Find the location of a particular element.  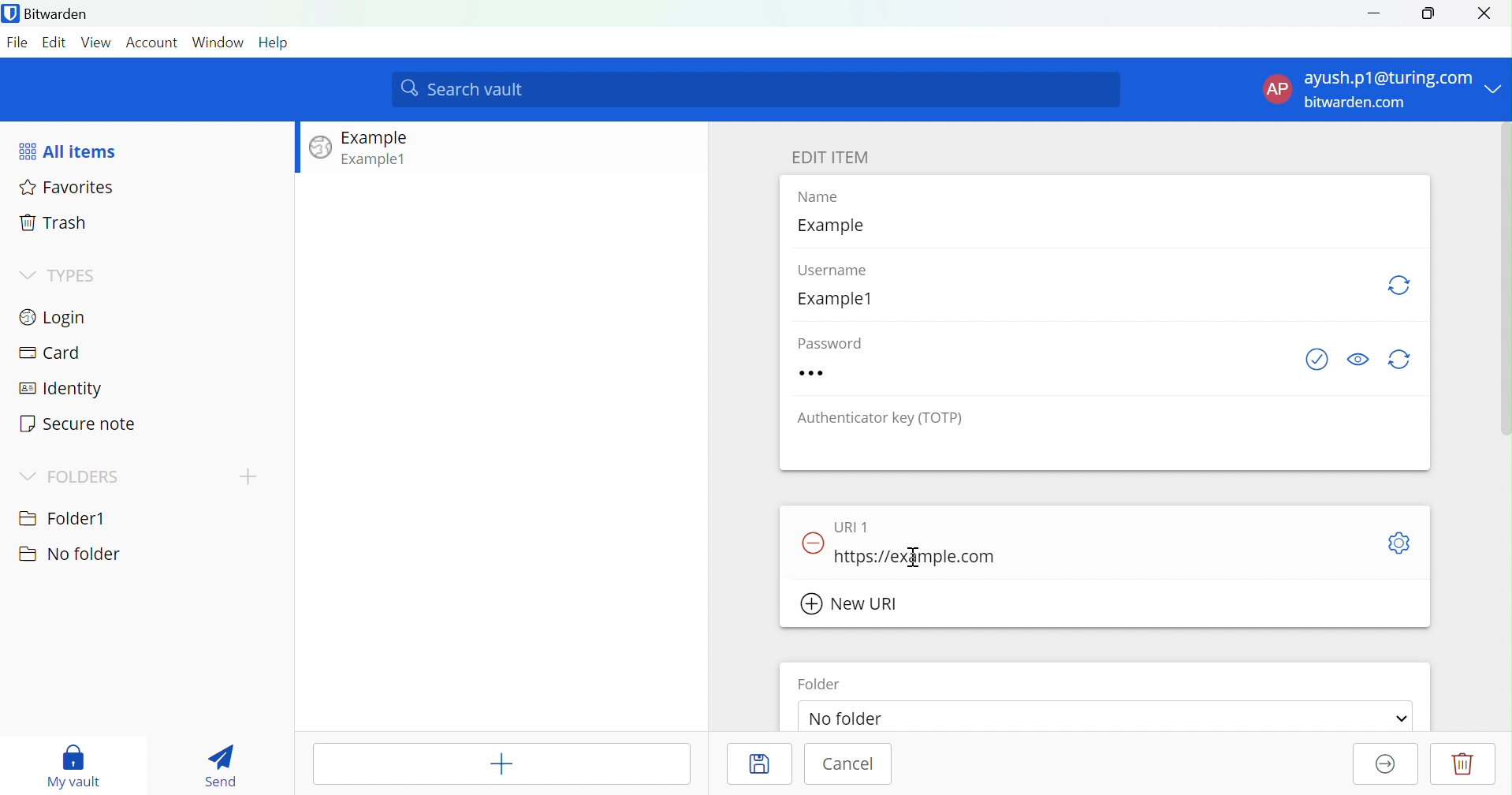

Card is located at coordinates (50, 353).